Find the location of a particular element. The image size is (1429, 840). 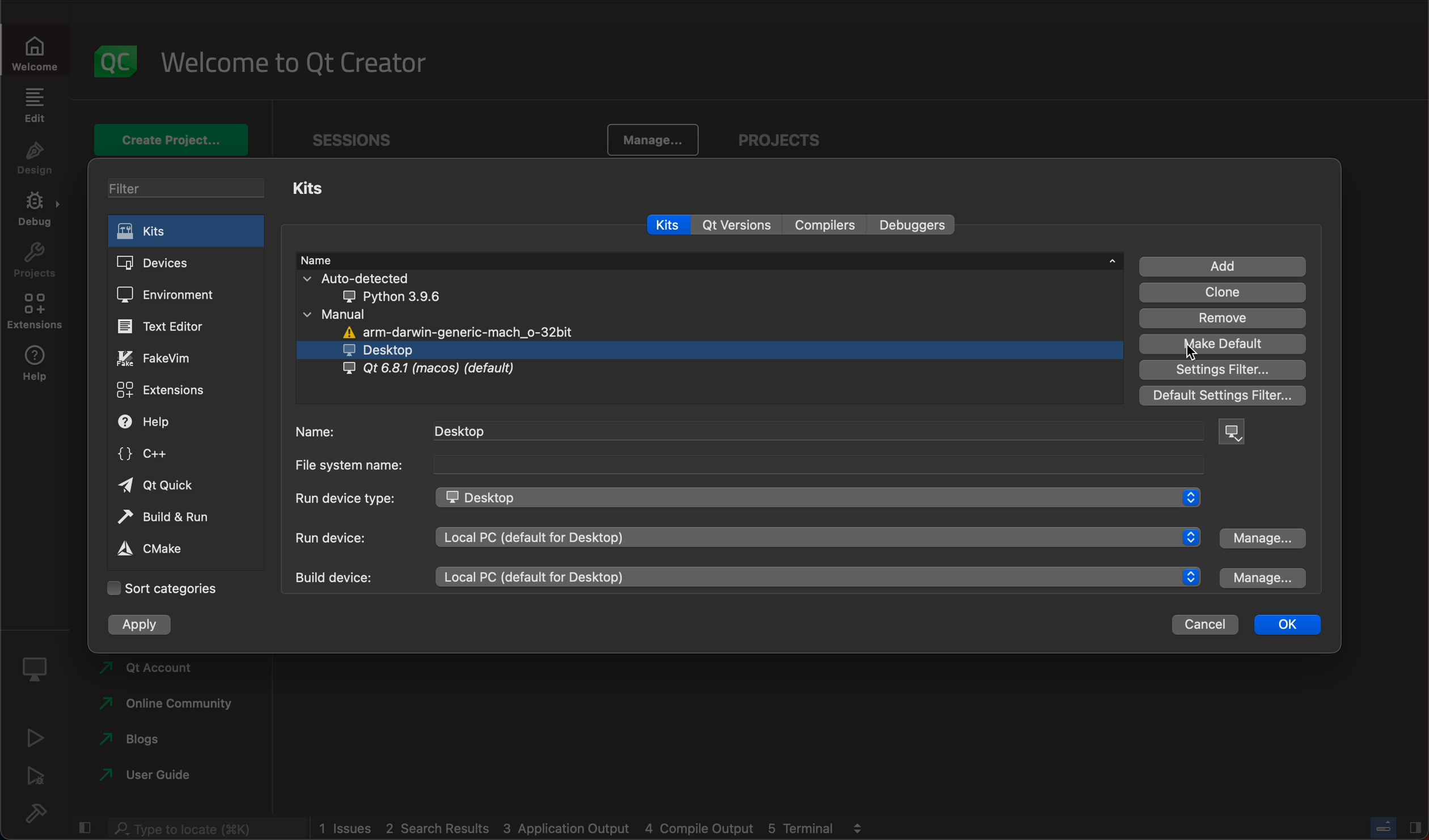

kits is located at coordinates (189, 232).